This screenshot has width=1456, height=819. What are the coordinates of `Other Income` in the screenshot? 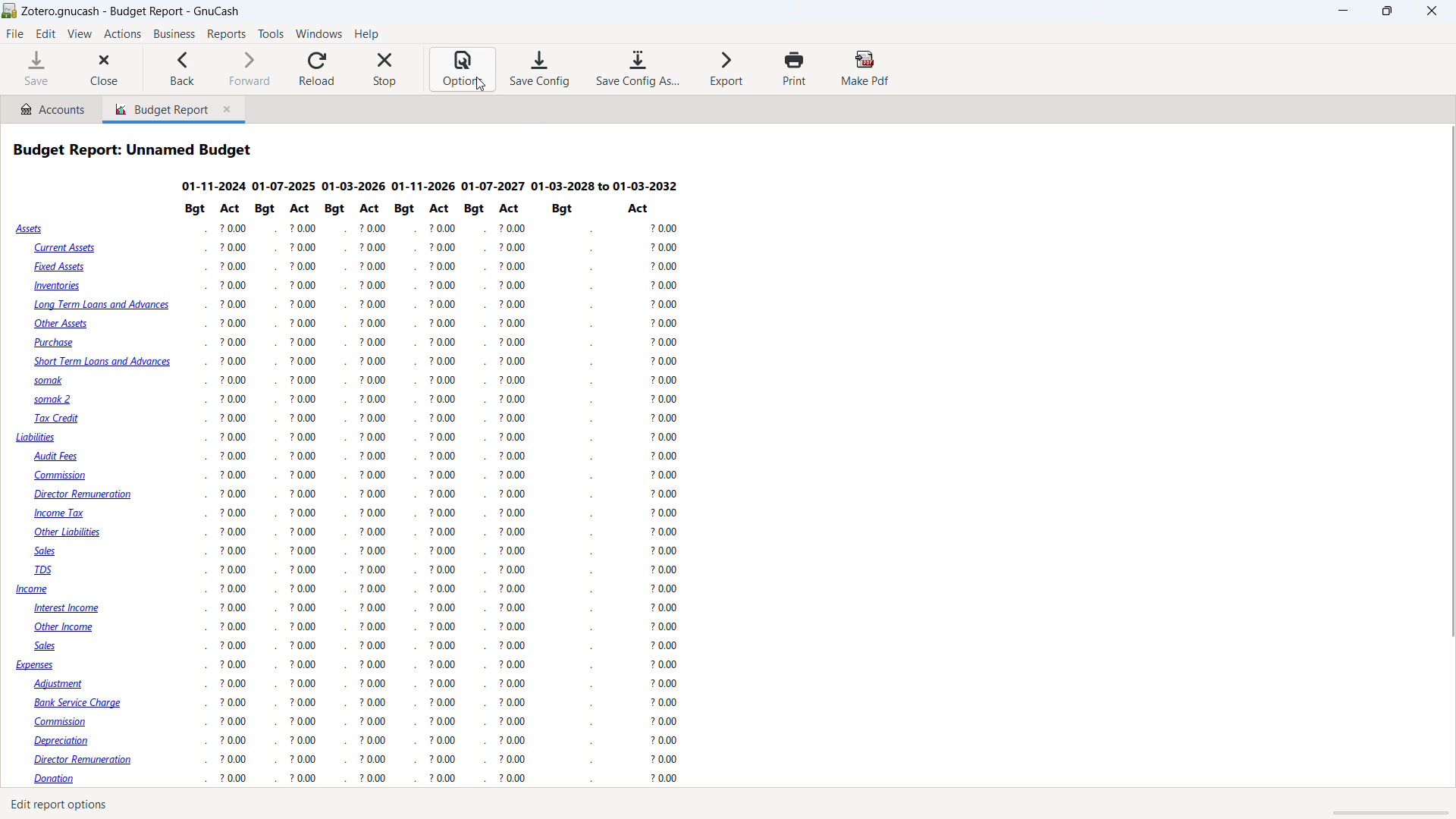 It's located at (68, 629).